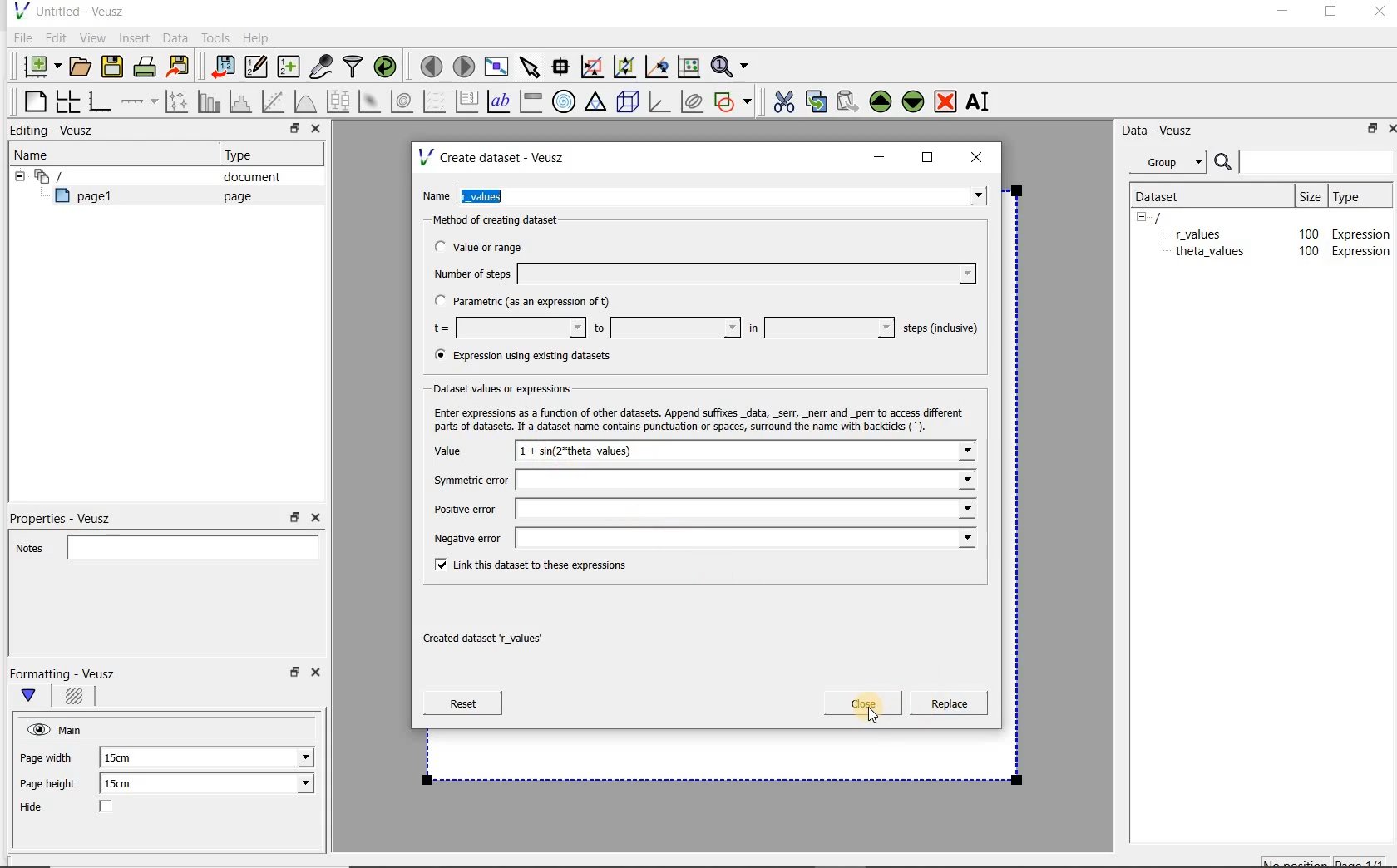  Describe the element at coordinates (781, 100) in the screenshot. I see `cut the selected widget` at that location.